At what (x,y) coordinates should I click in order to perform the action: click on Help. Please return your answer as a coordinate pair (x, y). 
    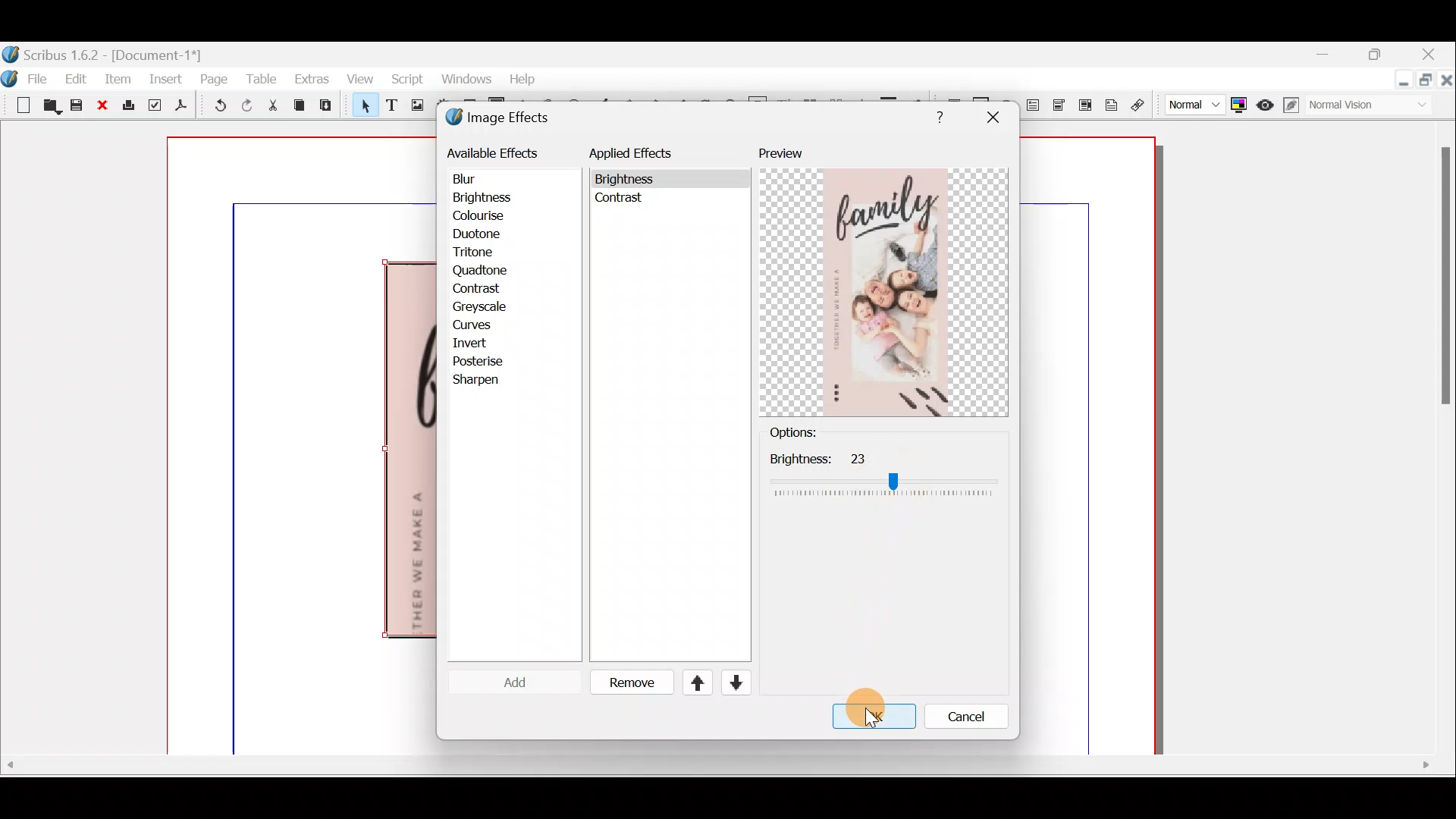
    Looking at the image, I should click on (522, 77).